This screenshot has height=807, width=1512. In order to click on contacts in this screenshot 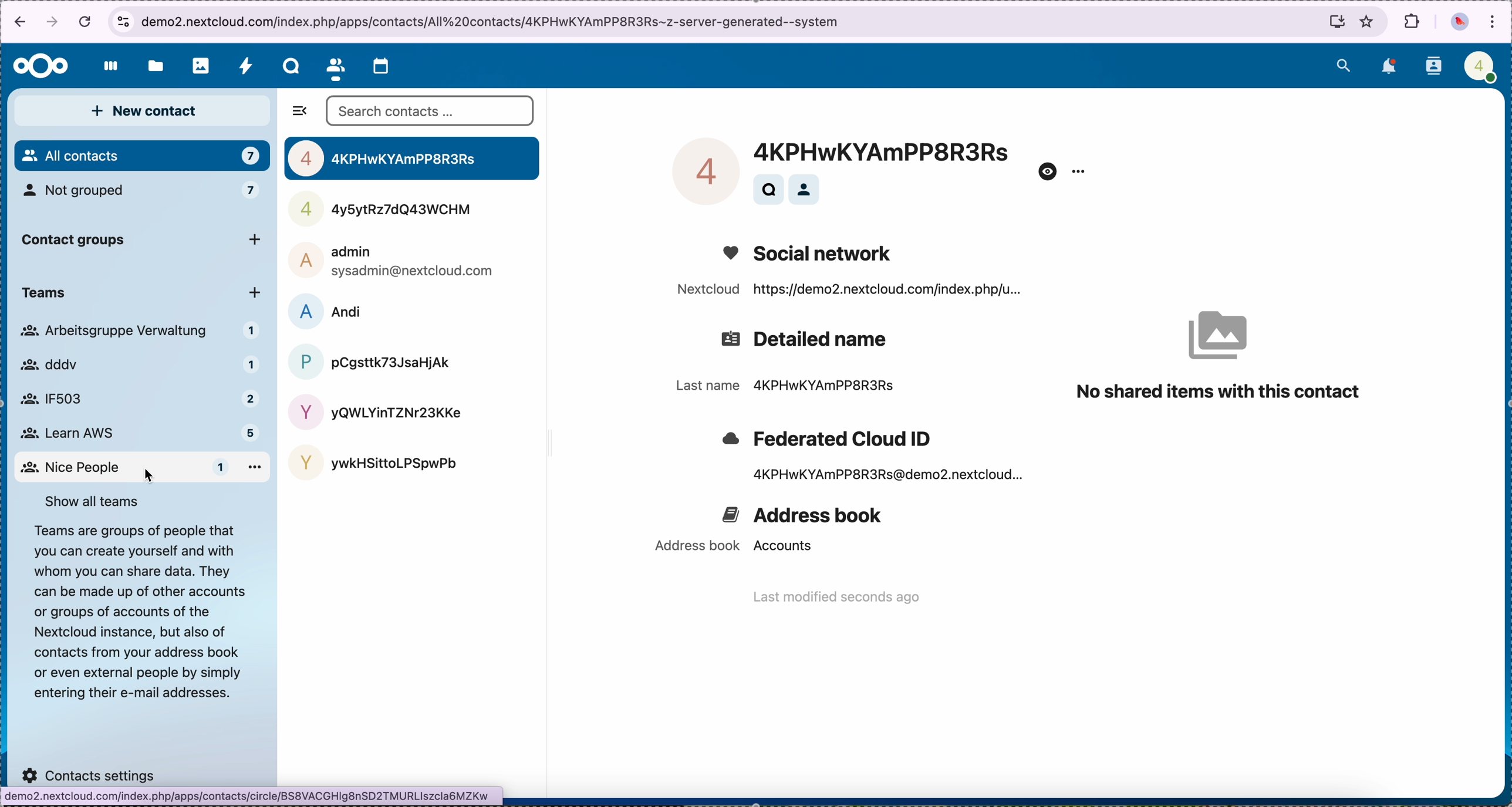, I will do `click(806, 188)`.